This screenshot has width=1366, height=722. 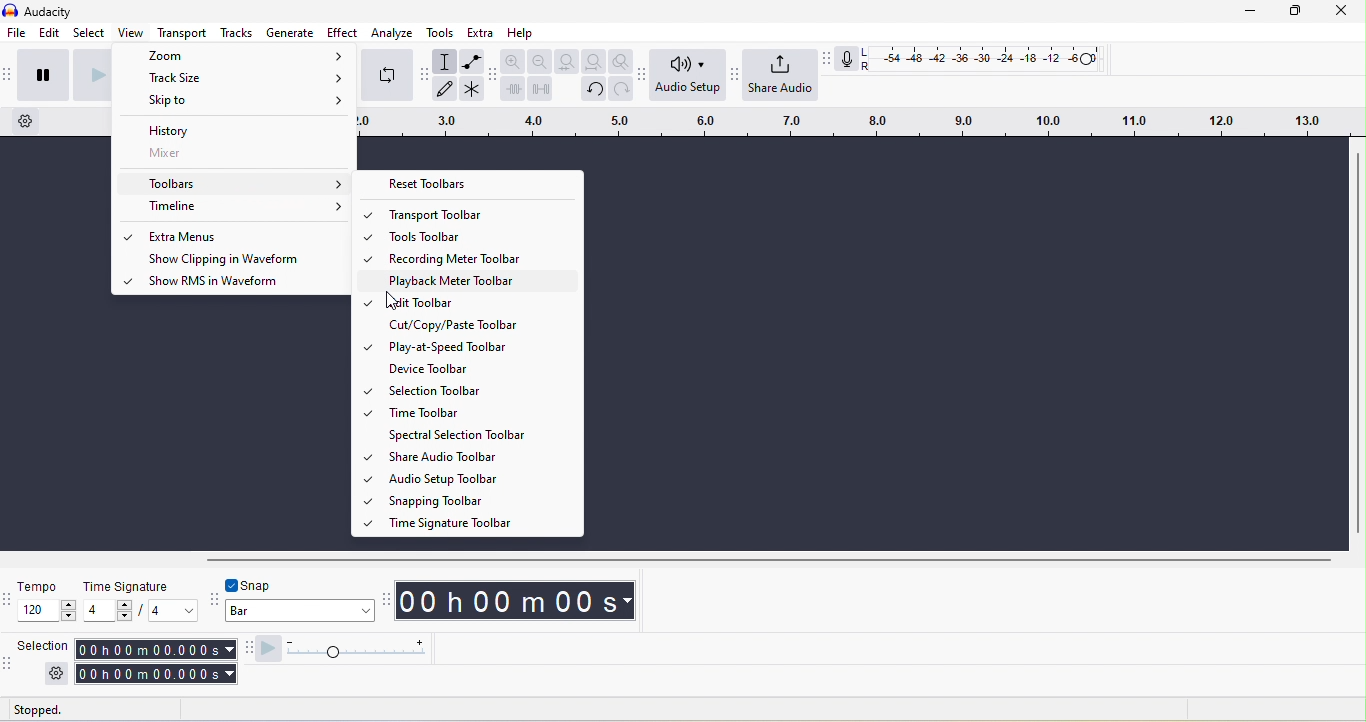 I want to click on select snapping, so click(x=300, y=610).